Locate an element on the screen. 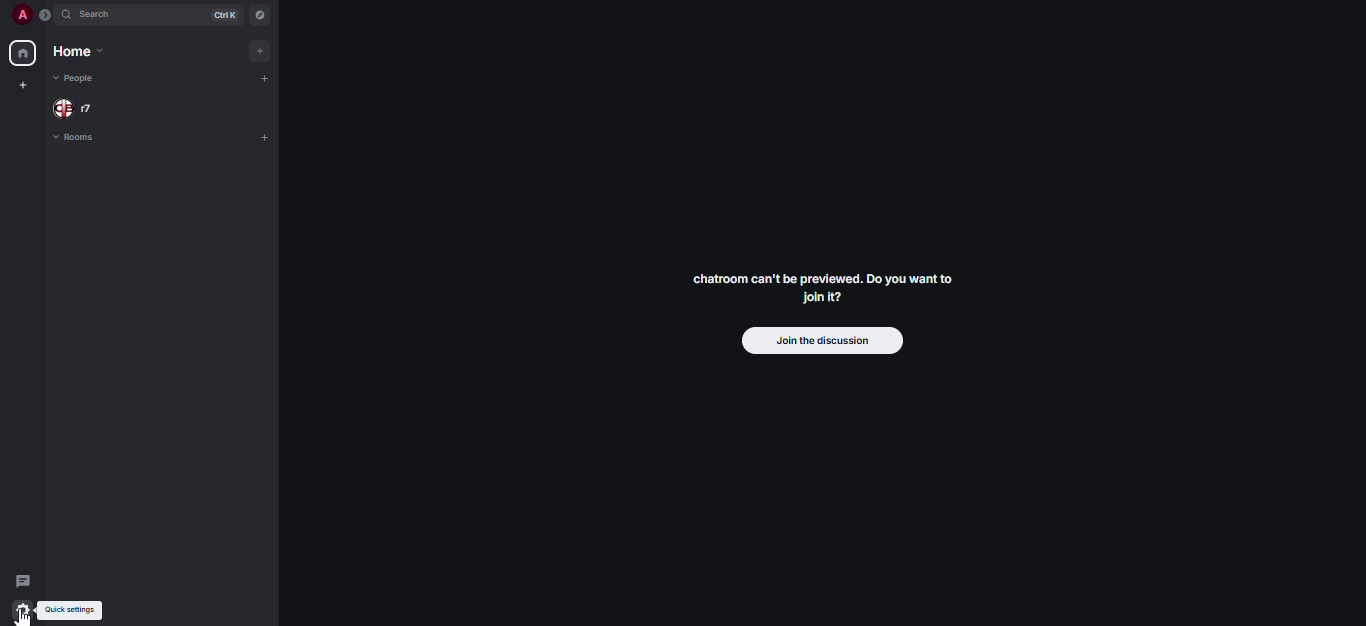  ctrl K is located at coordinates (225, 13).